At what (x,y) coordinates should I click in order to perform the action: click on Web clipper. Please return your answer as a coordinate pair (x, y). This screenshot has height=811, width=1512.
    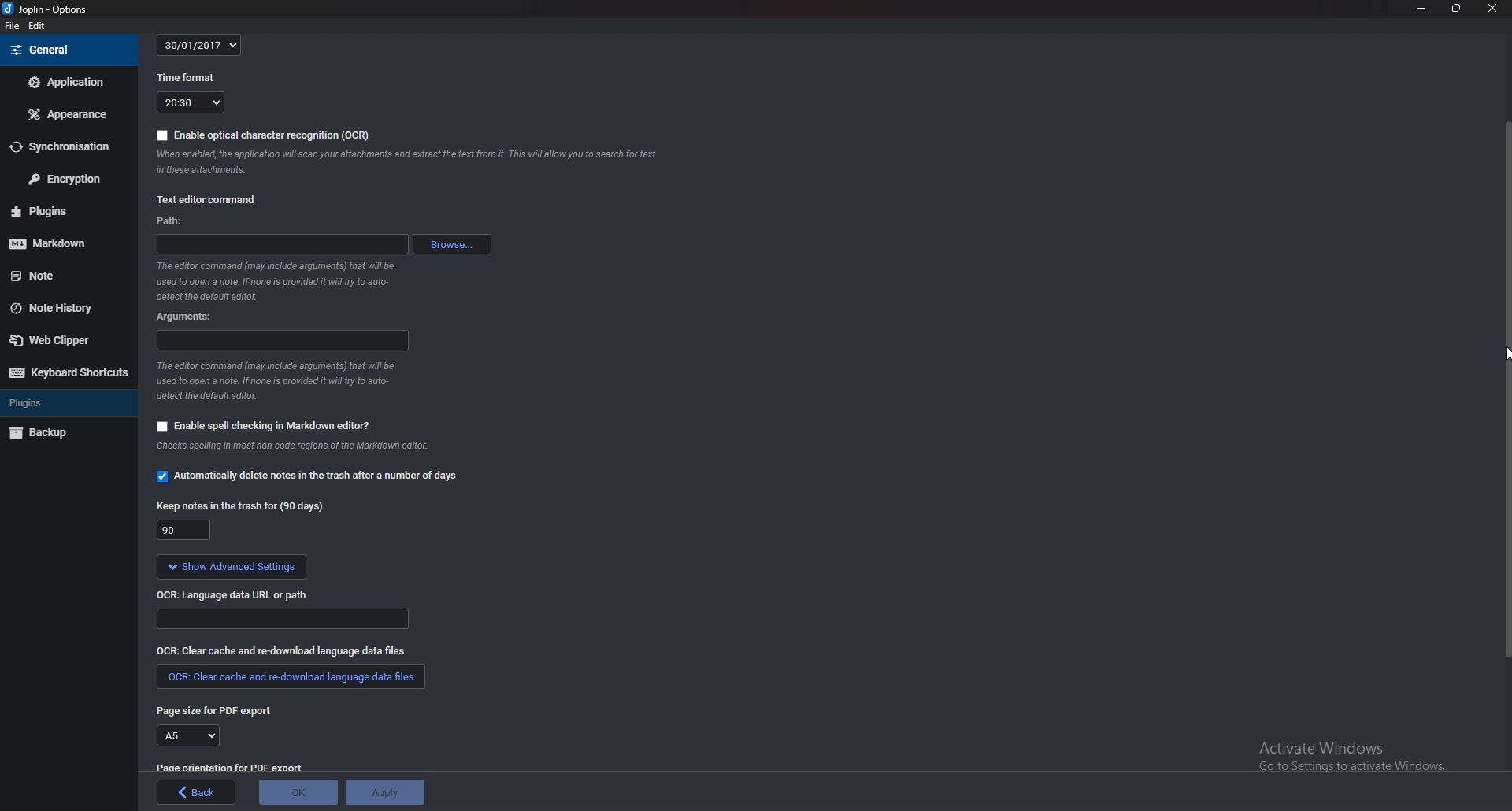
    Looking at the image, I should click on (59, 340).